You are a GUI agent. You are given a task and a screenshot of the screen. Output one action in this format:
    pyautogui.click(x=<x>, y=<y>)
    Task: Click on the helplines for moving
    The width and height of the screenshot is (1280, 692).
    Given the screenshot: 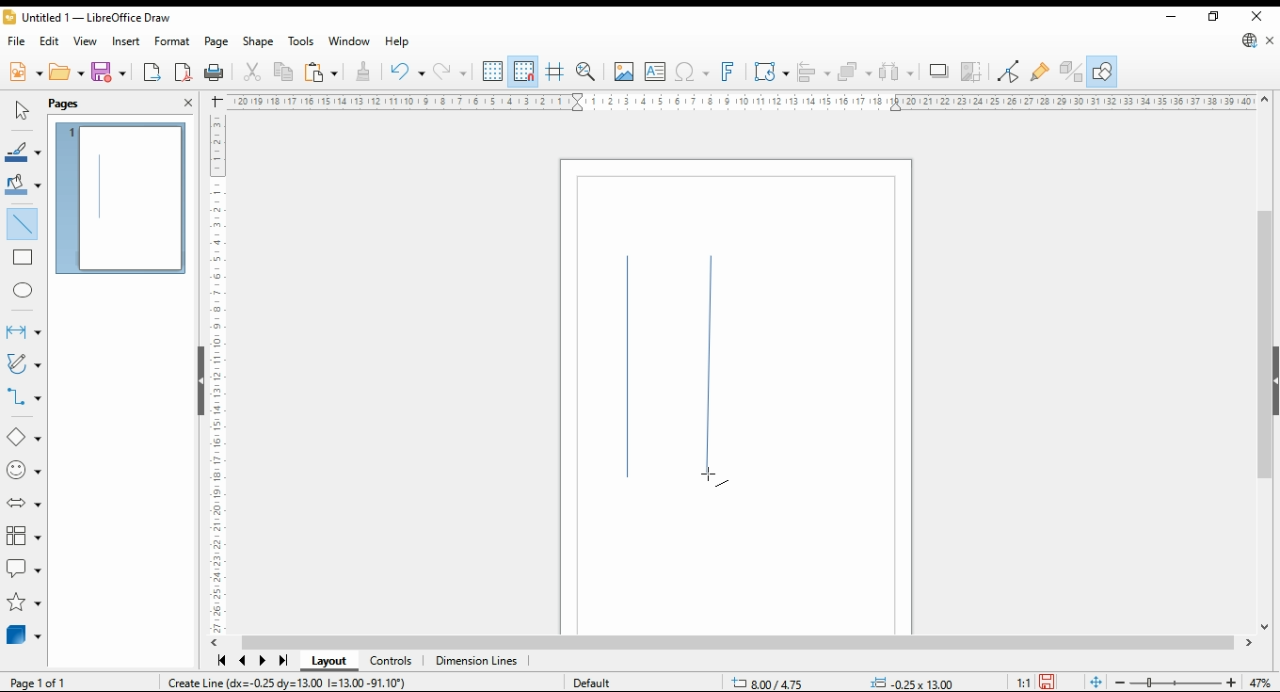 What is the action you would take?
    pyautogui.click(x=556, y=70)
    